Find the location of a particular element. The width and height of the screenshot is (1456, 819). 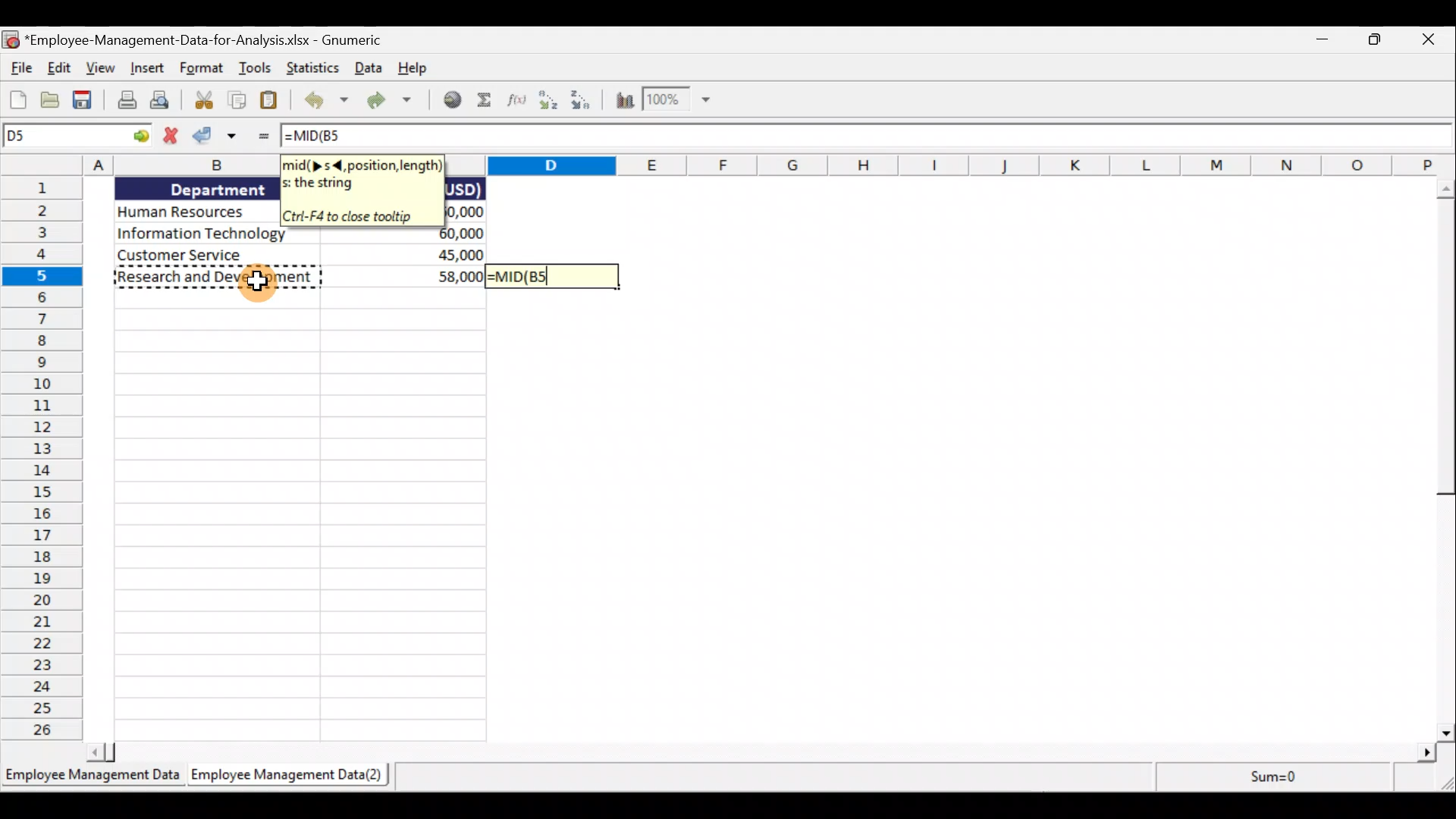

Data is located at coordinates (367, 69).